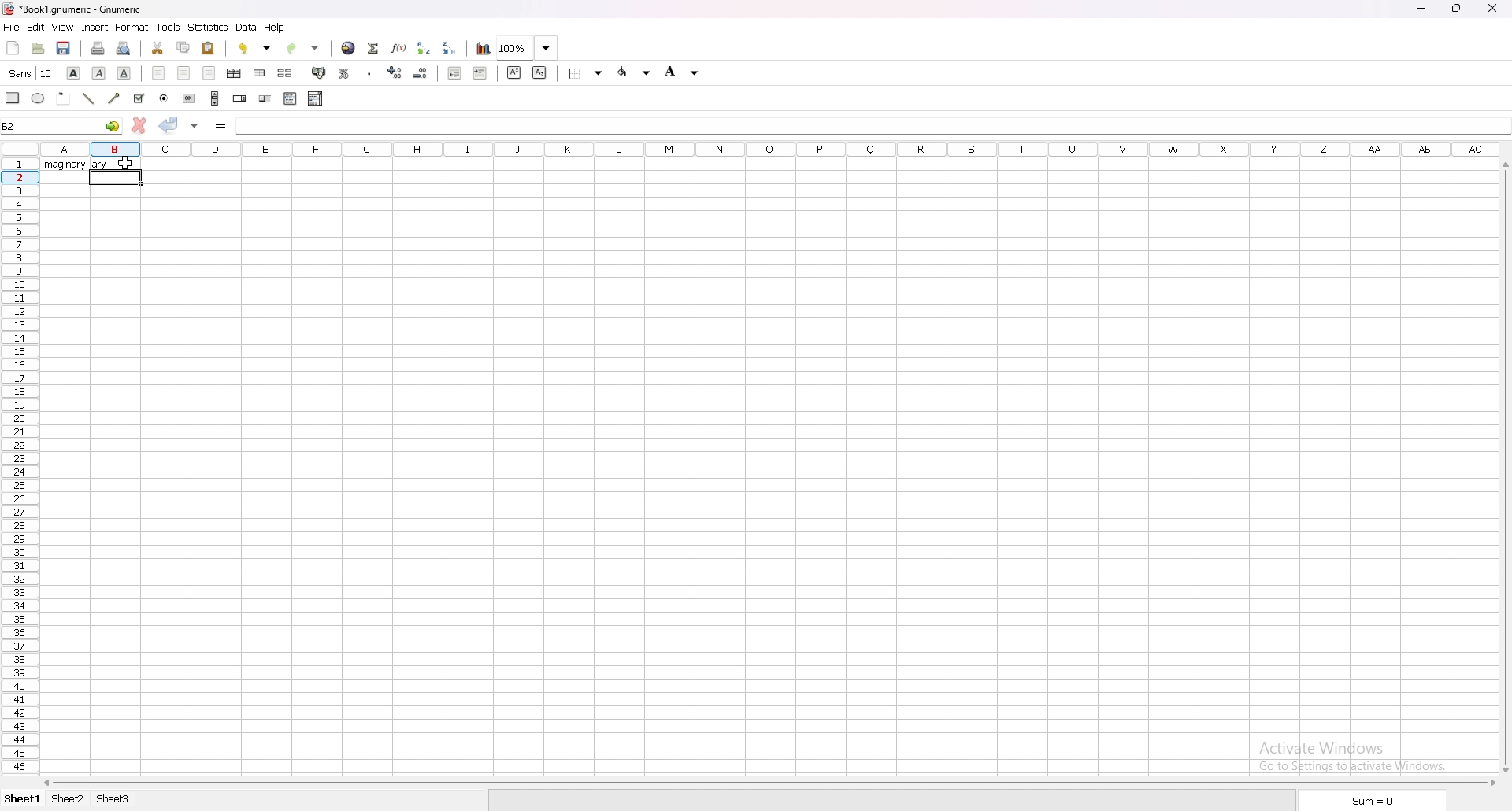 The height and width of the screenshot is (811, 1512). I want to click on copy, so click(183, 47).